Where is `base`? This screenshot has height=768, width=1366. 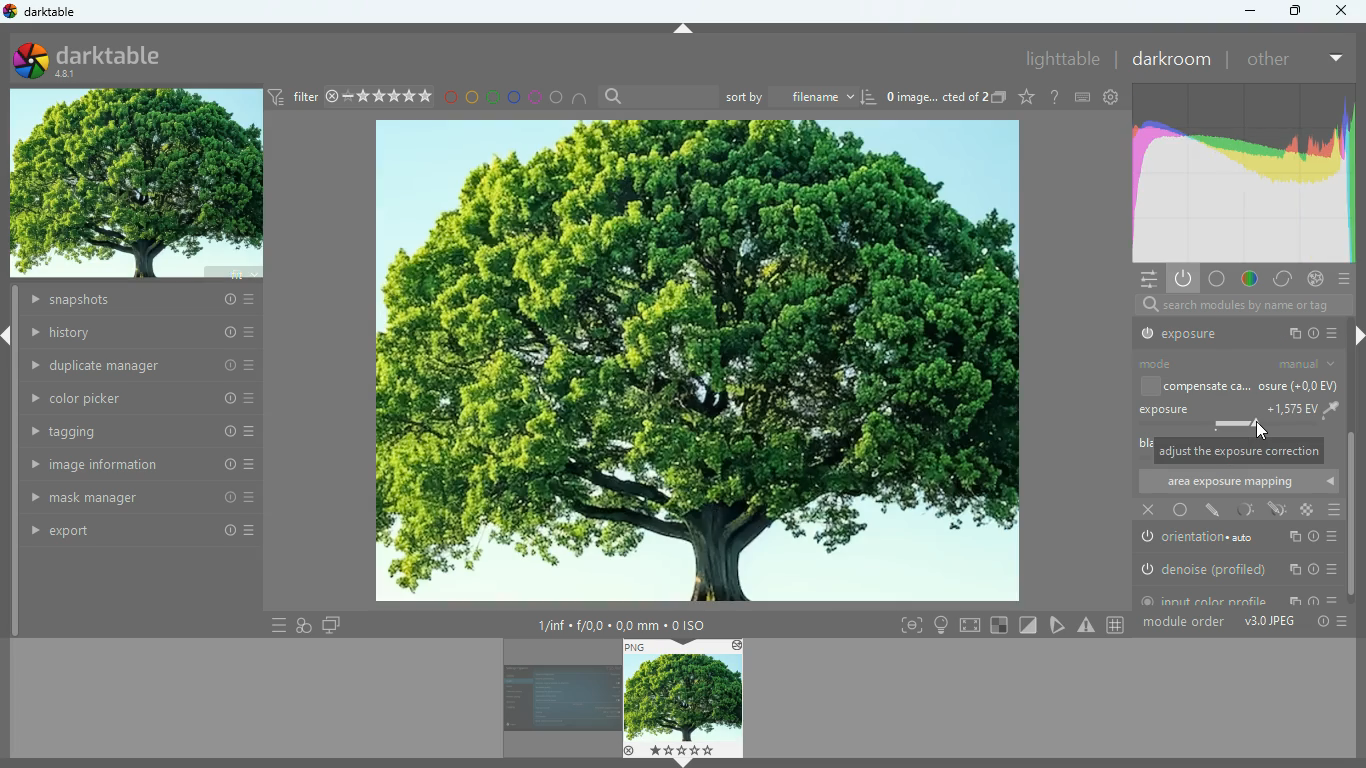
base is located at coordinates (1179, 510).